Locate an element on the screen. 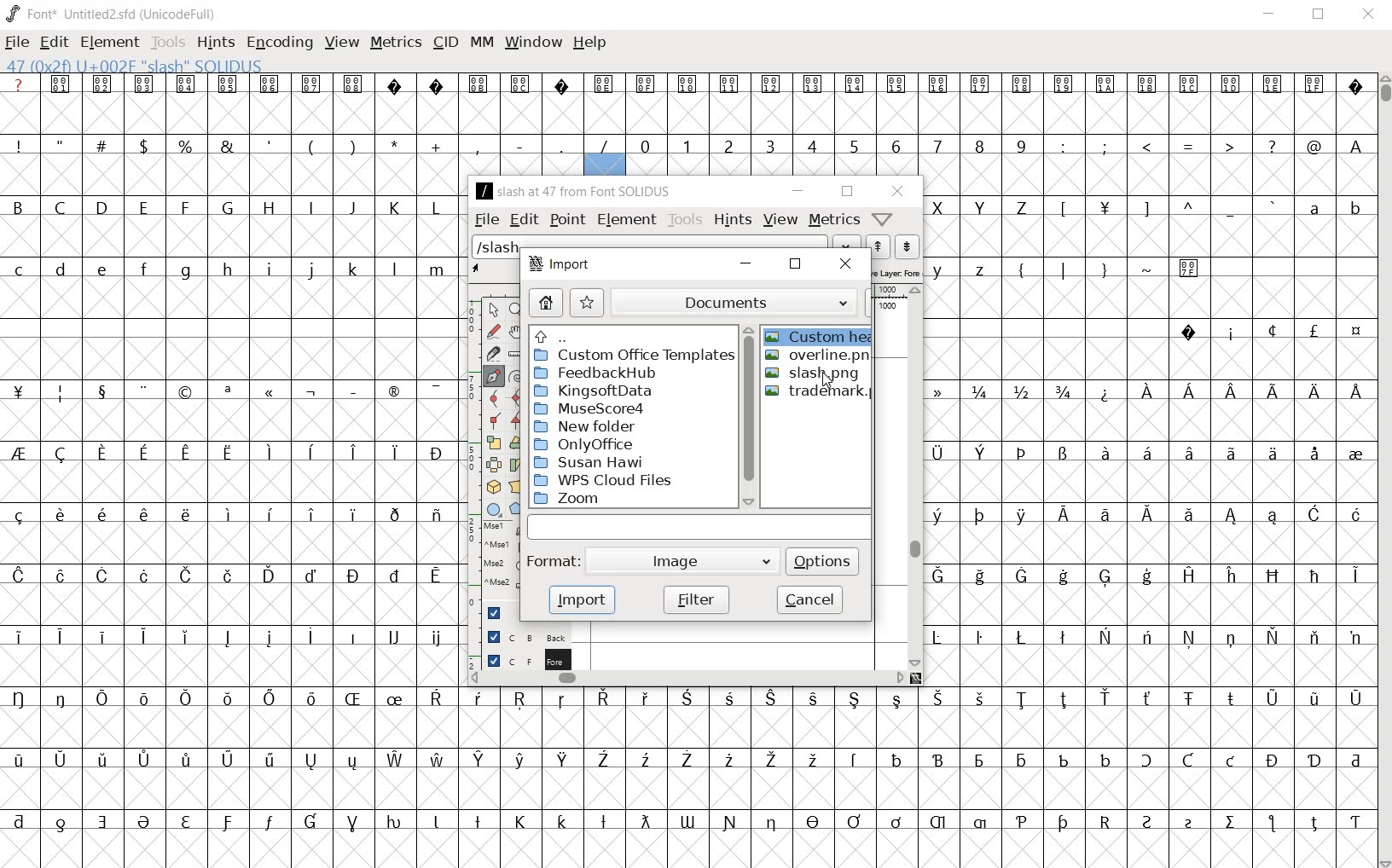 The image size is (1392, 868). FeedbackHub is located at coordinates (599, 373).